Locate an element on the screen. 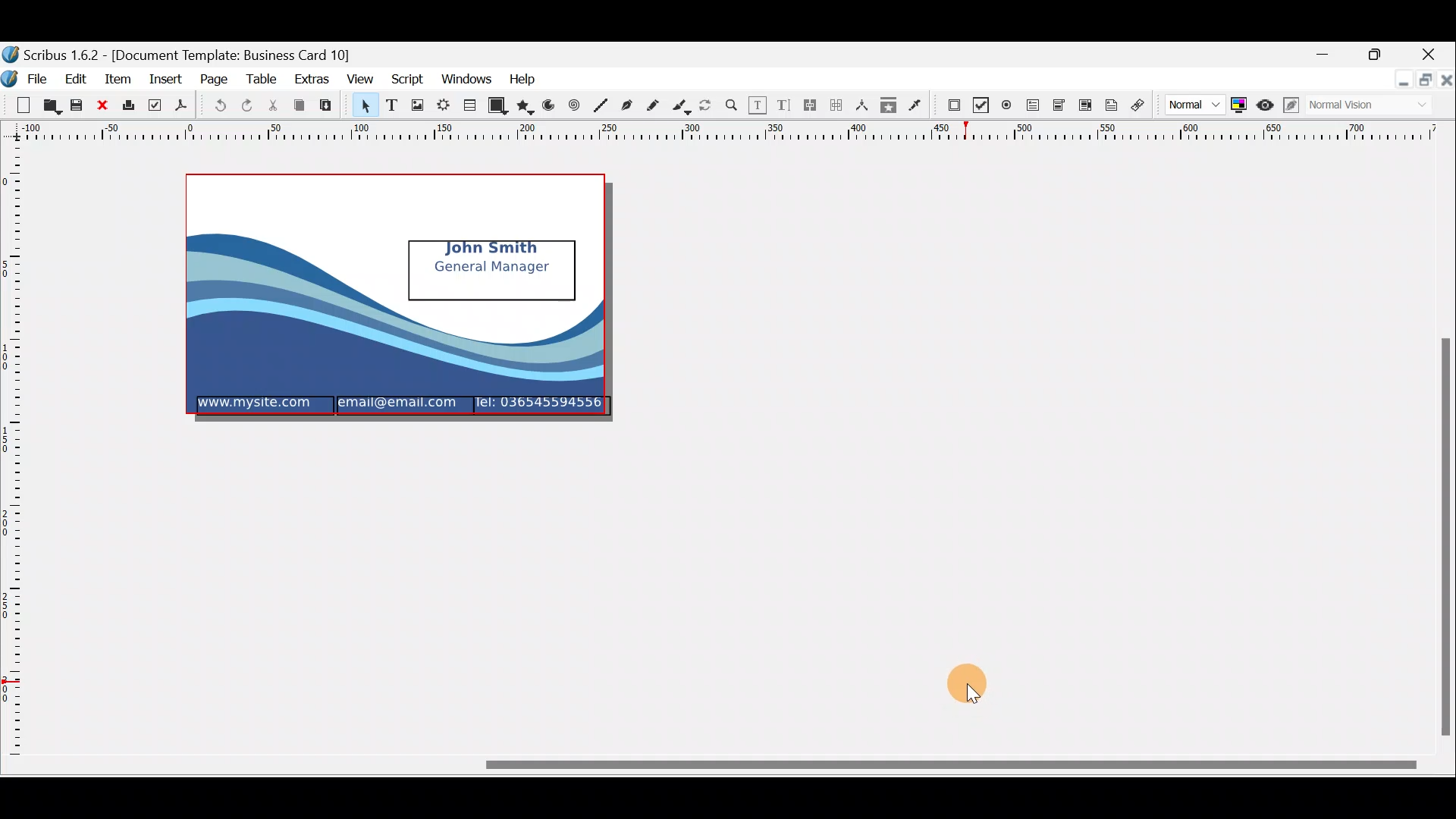  PDF list box is located at coordinates (1082, 107).